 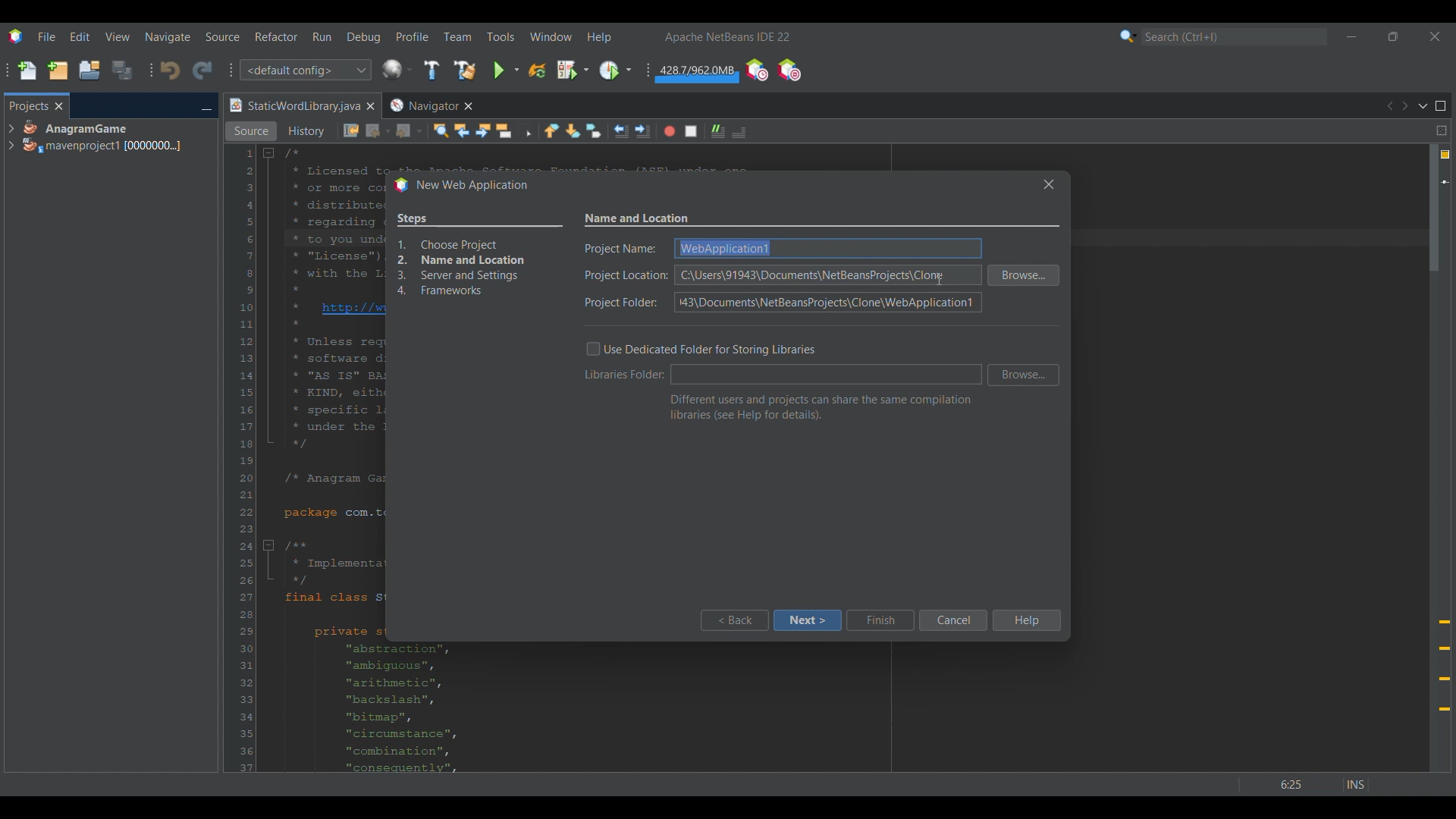 What do you see at coordinates (718, 131) in the screenshot?
I see `Uncomment` at bounding box center [718, 131].